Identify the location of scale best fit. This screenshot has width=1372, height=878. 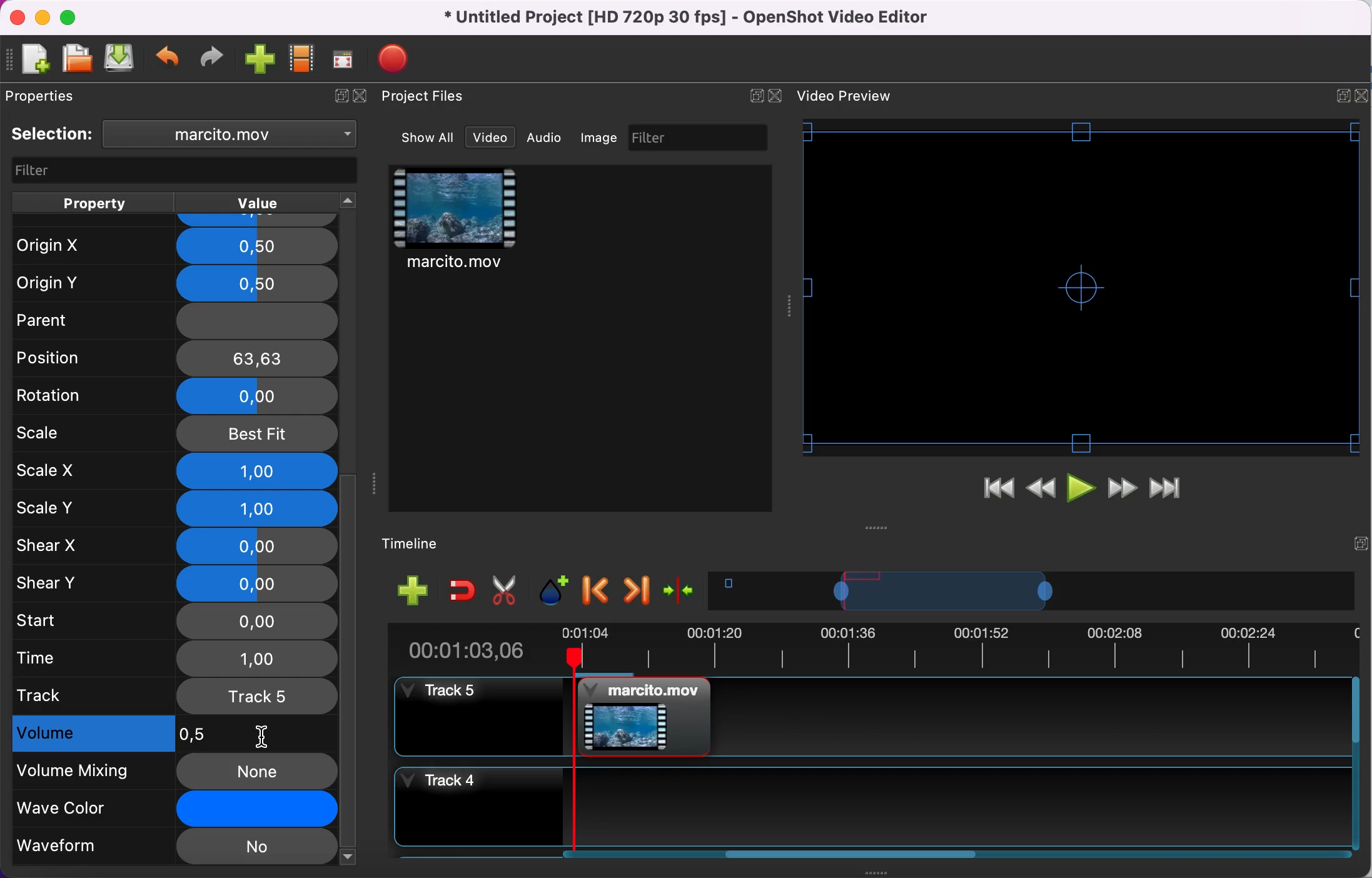
(176, 435).